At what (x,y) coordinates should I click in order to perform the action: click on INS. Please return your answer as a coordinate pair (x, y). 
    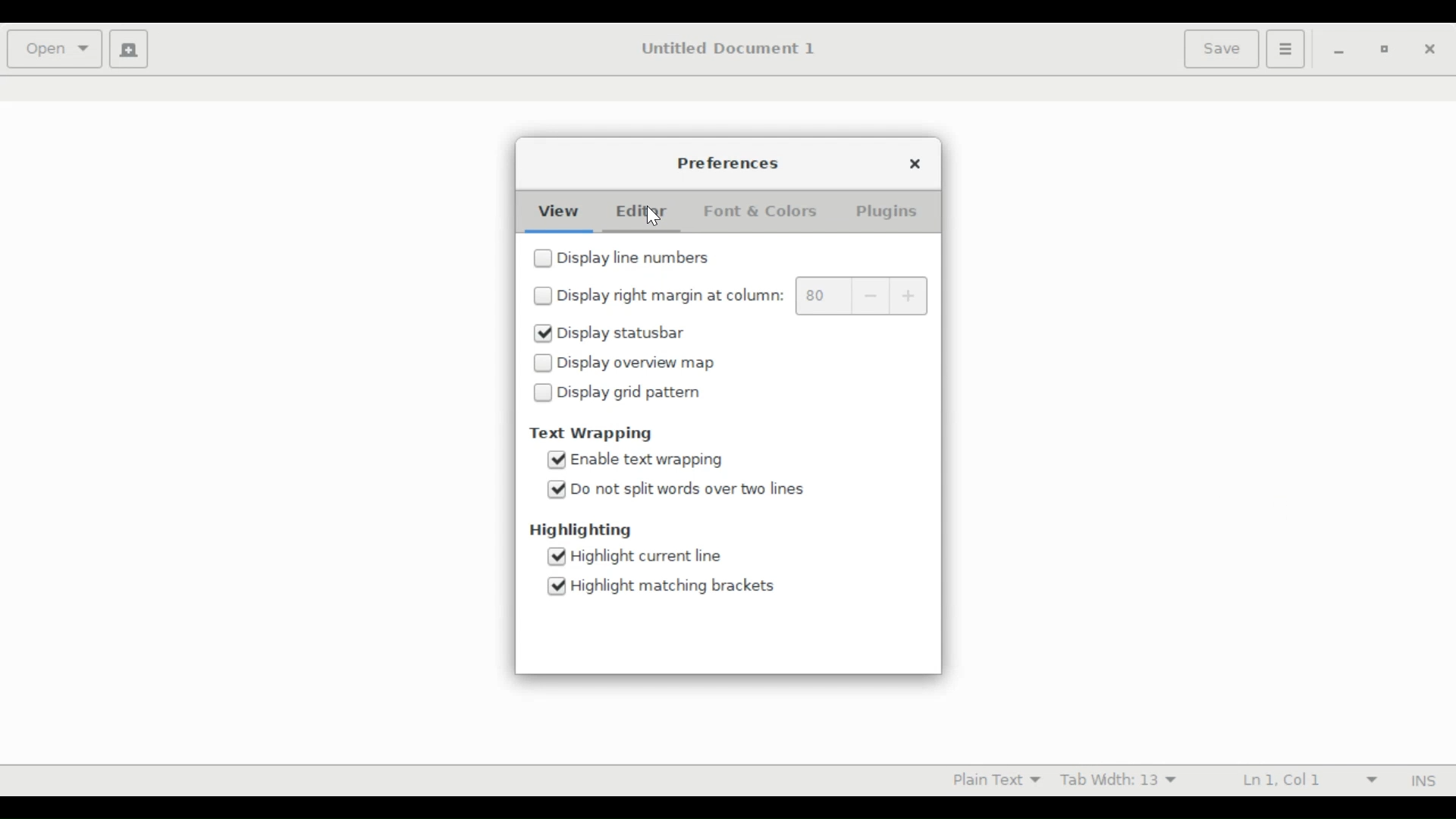
    Looking at the image, I should click on (1423, 781).